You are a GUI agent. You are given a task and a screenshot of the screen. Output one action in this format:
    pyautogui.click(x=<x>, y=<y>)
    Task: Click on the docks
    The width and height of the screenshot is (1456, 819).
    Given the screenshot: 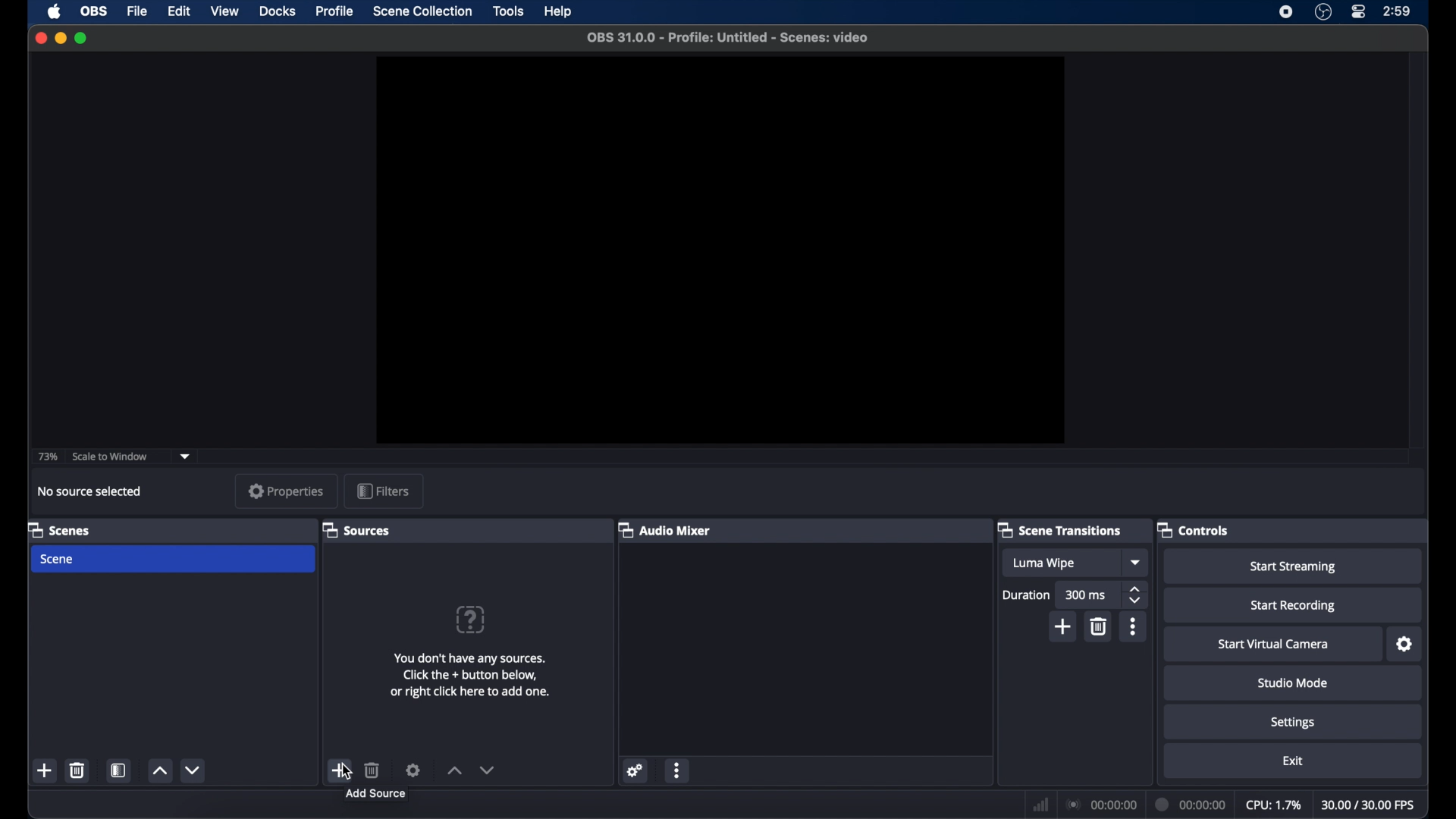 What is the action you would take?
    pyautogui.click(x=278, y=12)
    